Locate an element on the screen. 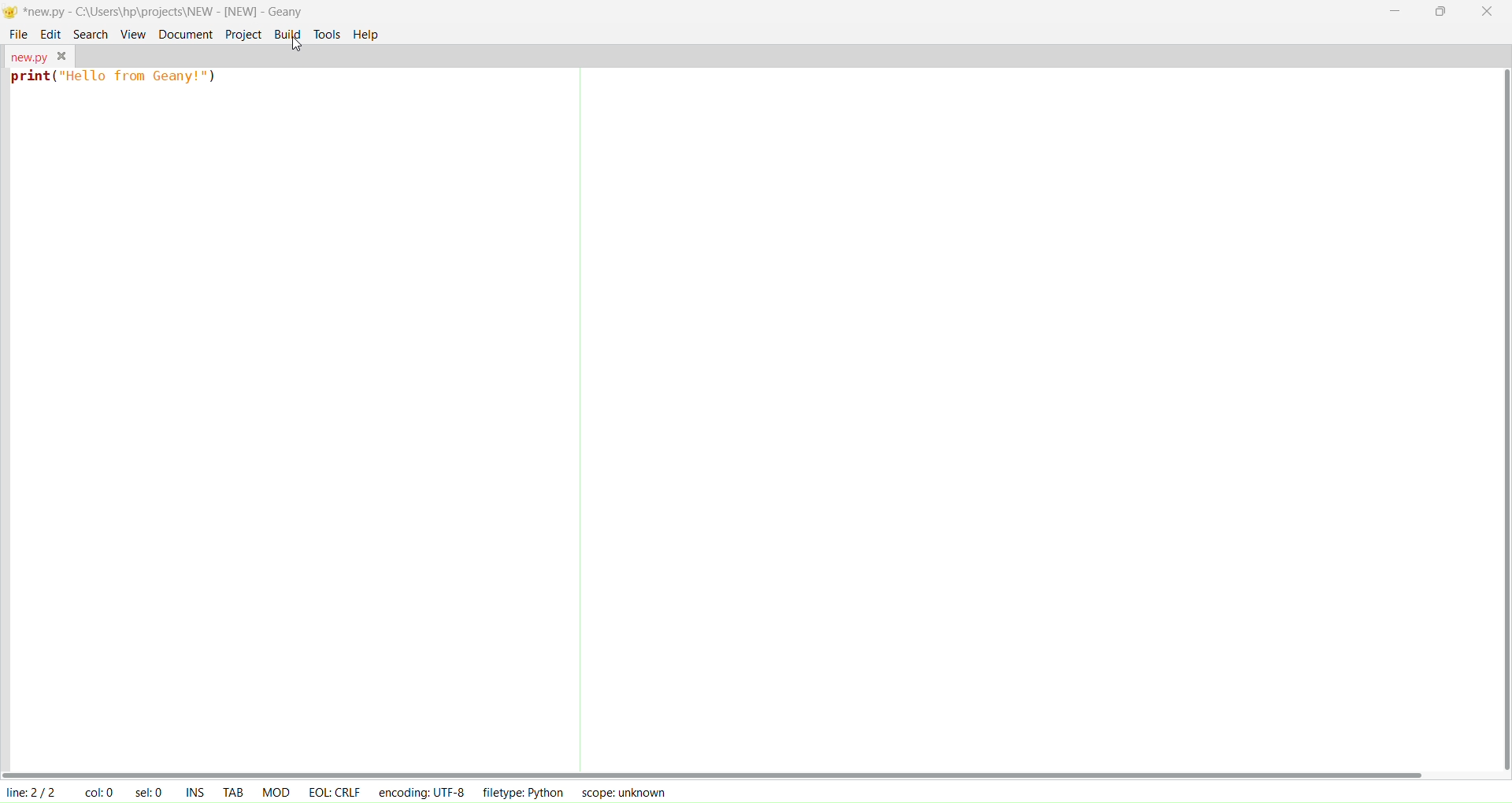 This screenshot has height=803, width=1512. ins is located at coordinates (197, 792).